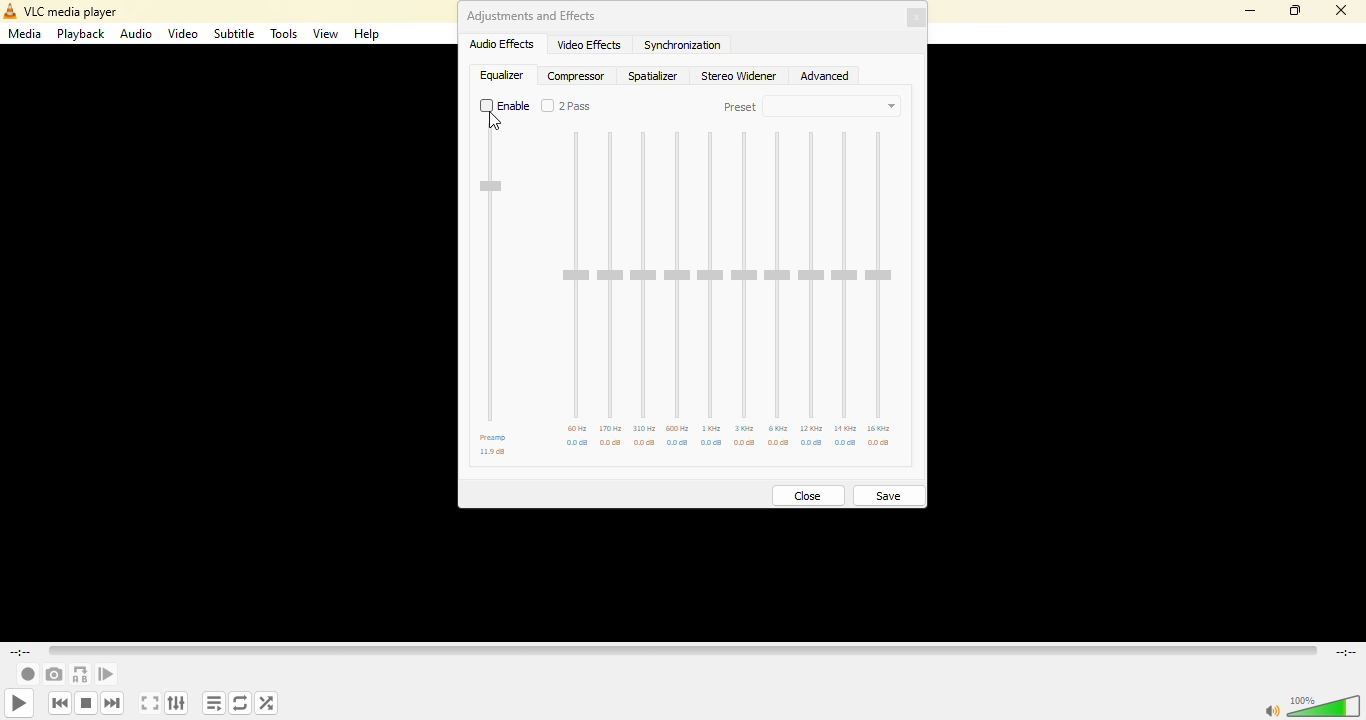 The width and height of the screenshot is (1366, 720). I want to click on stop playback, so click(86, 701).